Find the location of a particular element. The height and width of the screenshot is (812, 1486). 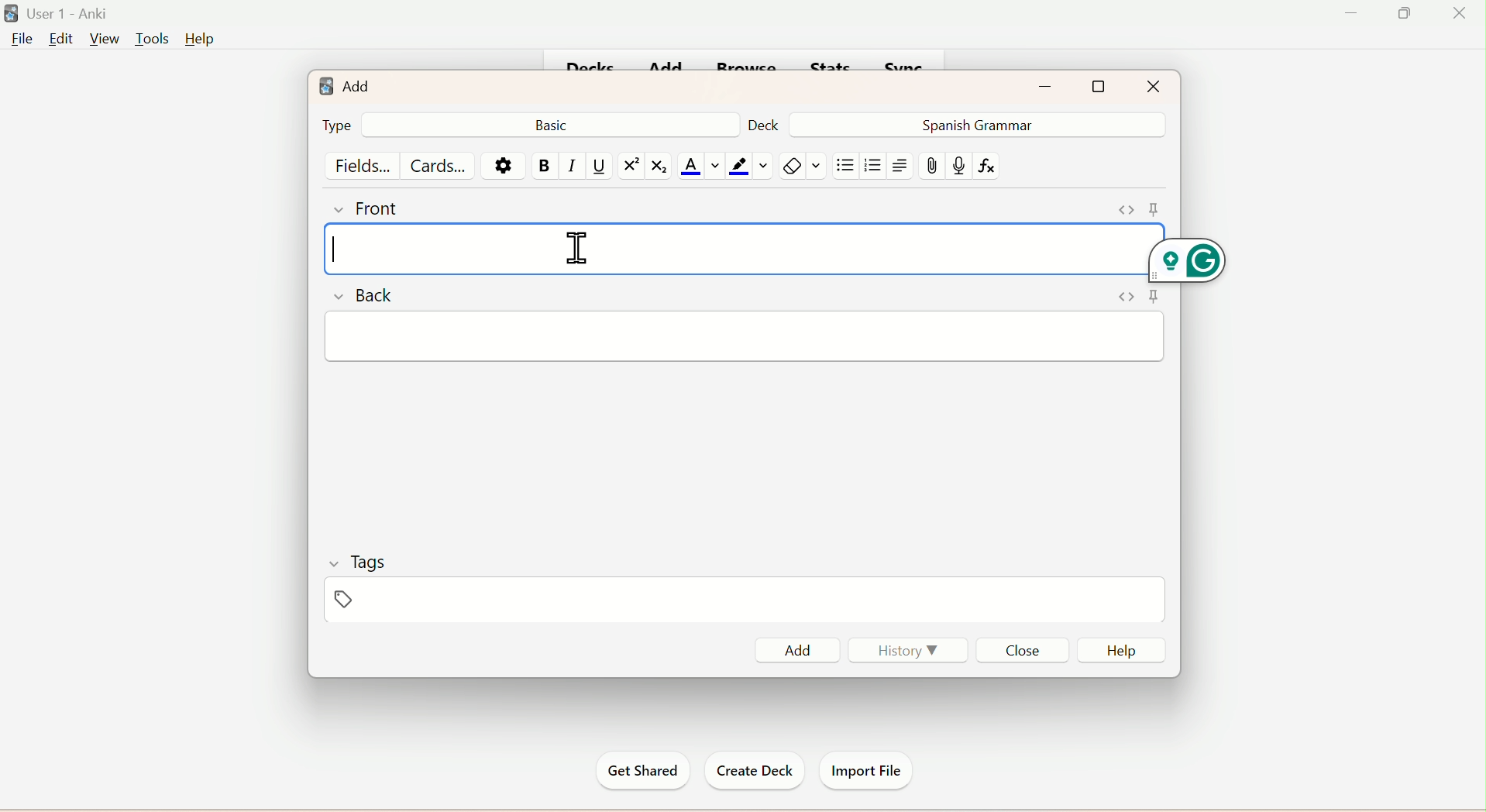

/organised List is located at coordinates (870, 167).